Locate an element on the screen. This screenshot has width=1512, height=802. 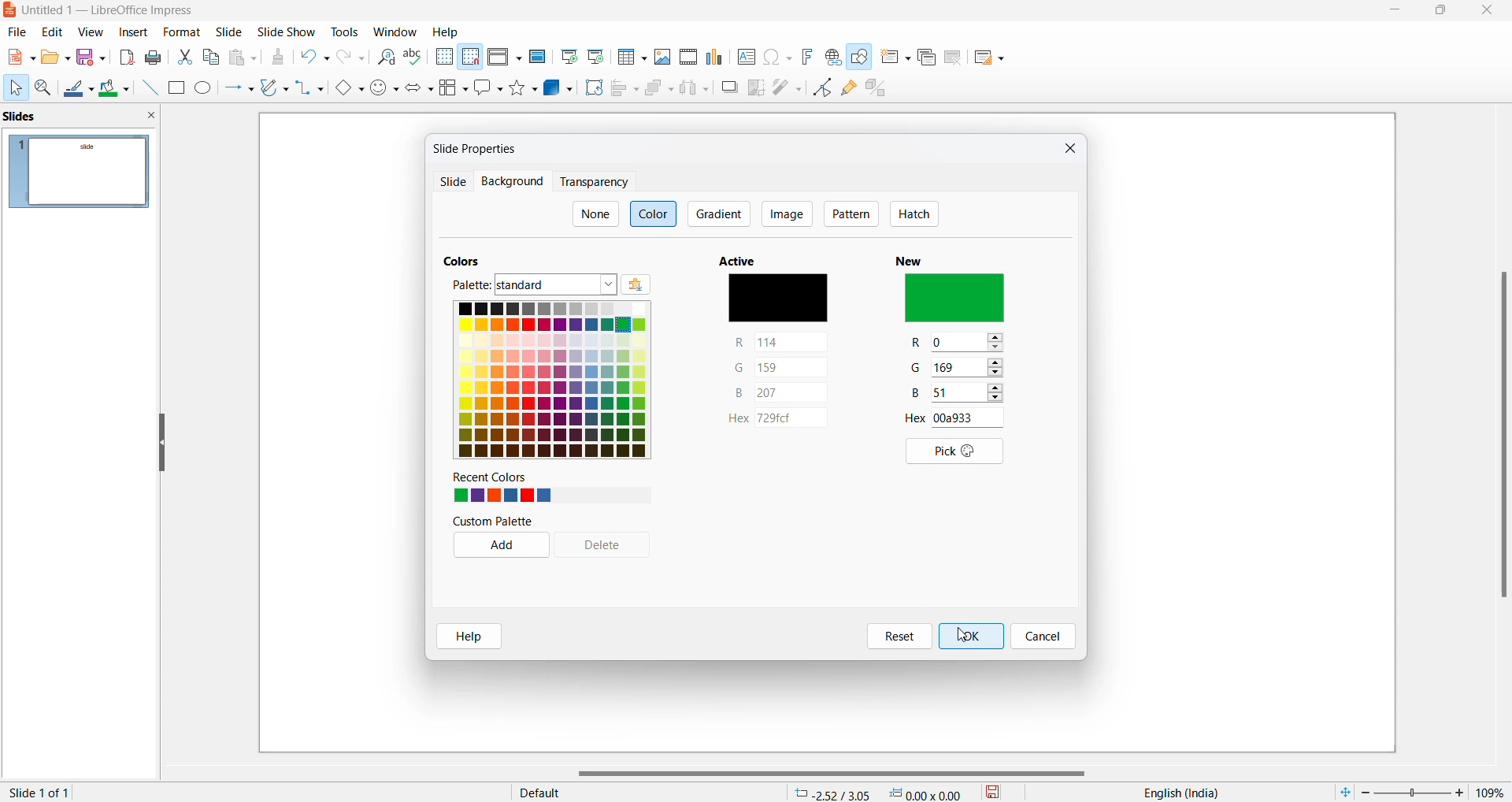
filter is located at coordinates (787, 86).